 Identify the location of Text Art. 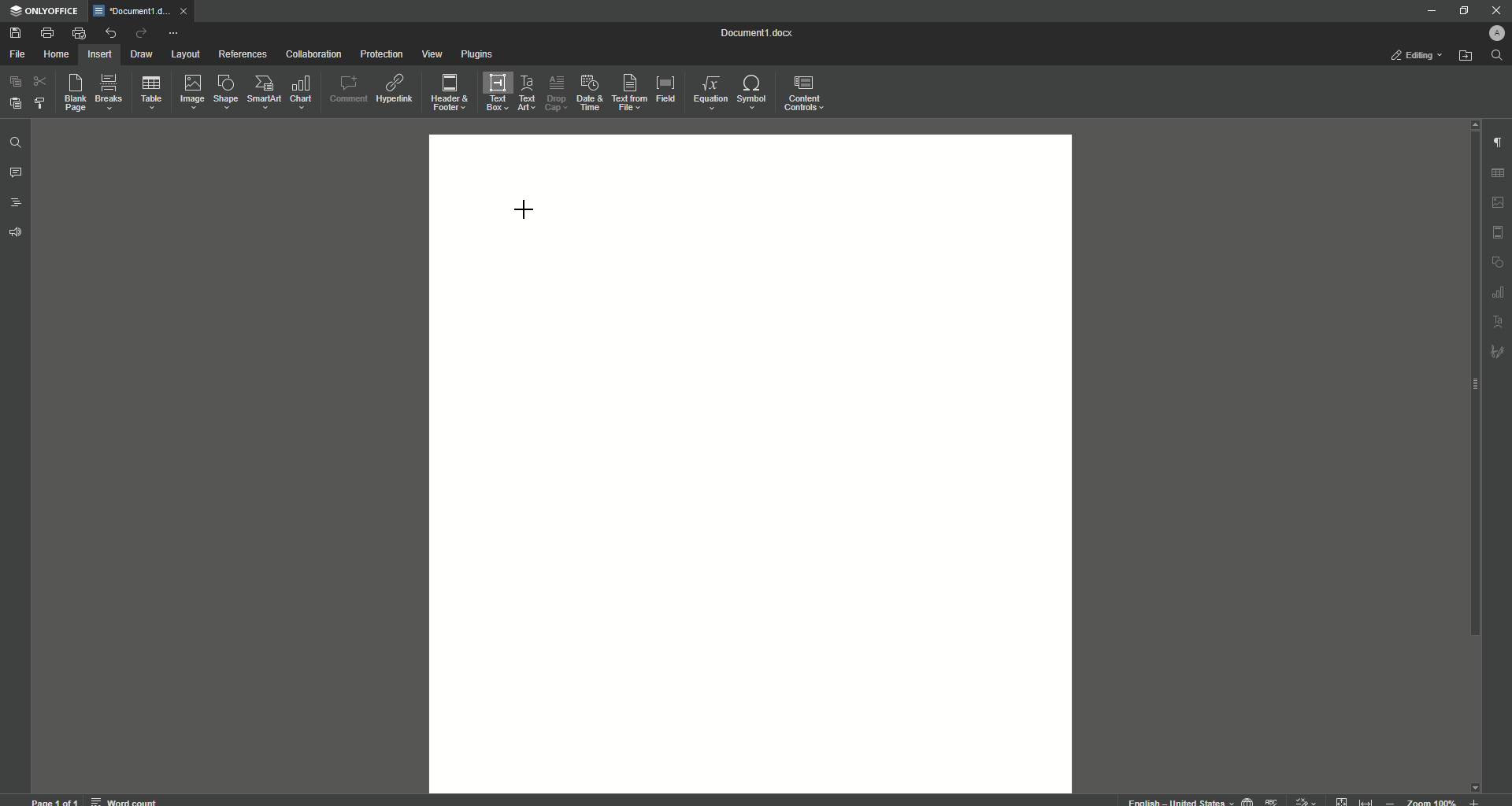
(524, 94).